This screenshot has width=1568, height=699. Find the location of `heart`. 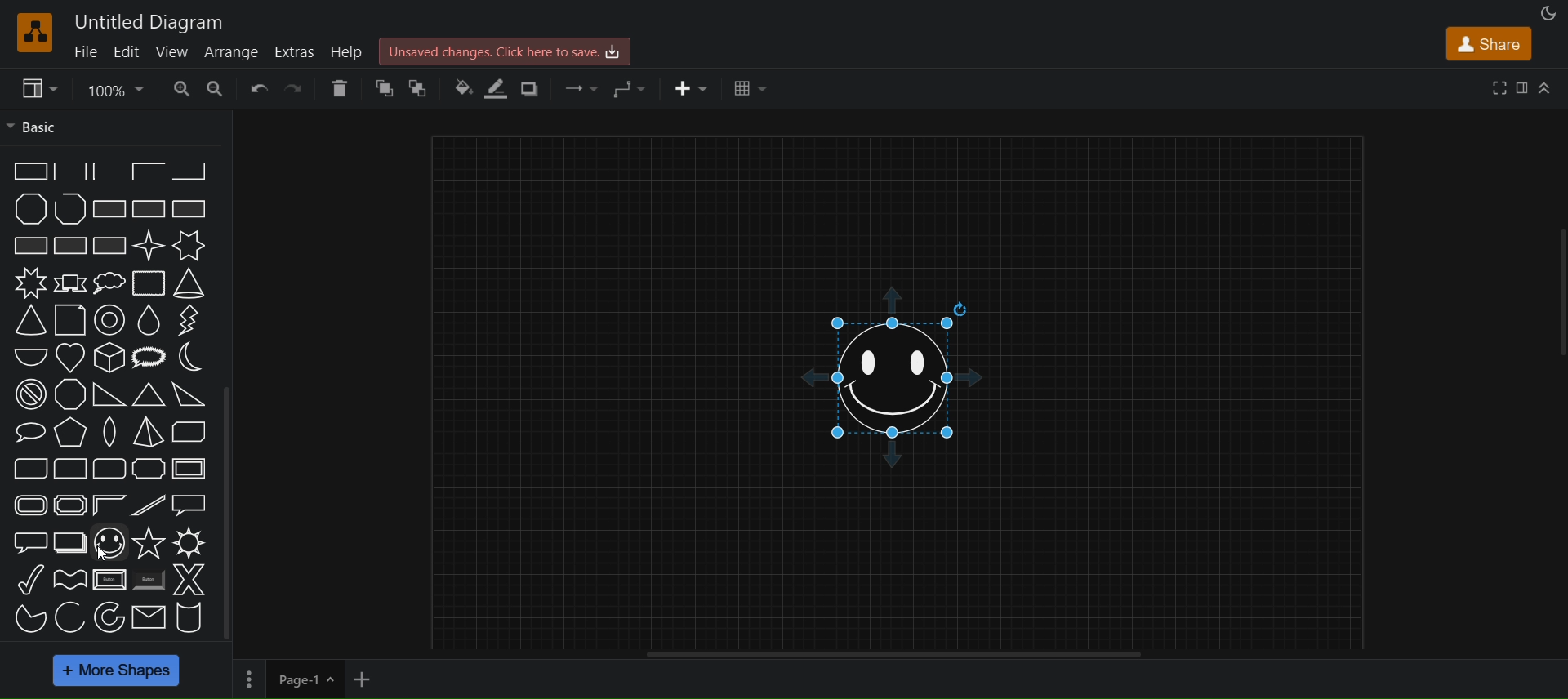

heart is located at coordinates (72, 358).